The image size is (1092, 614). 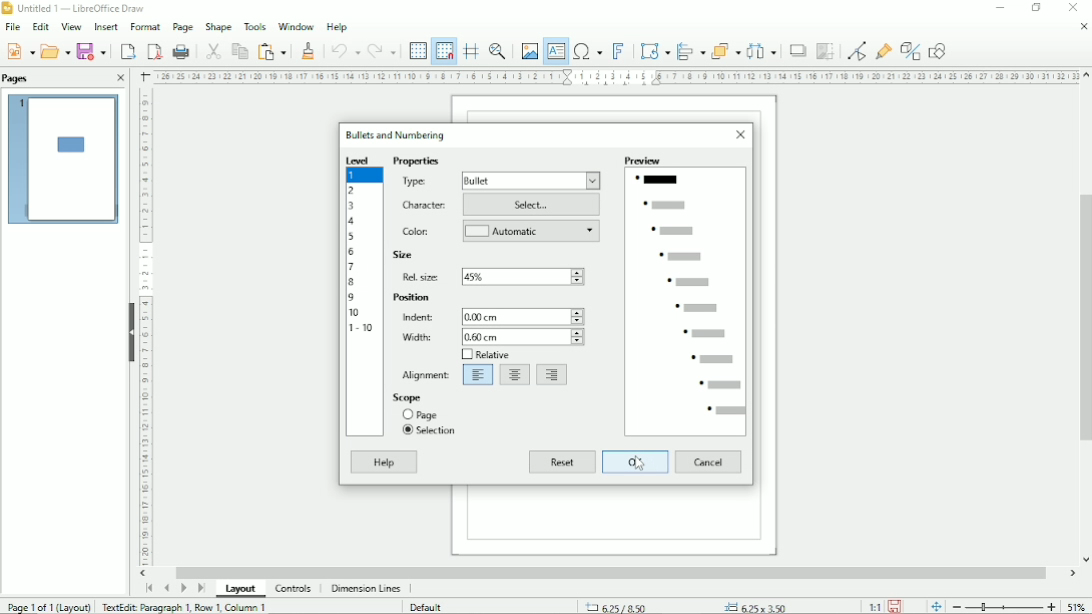 I want to click on 6, so click(x=352, y=251).